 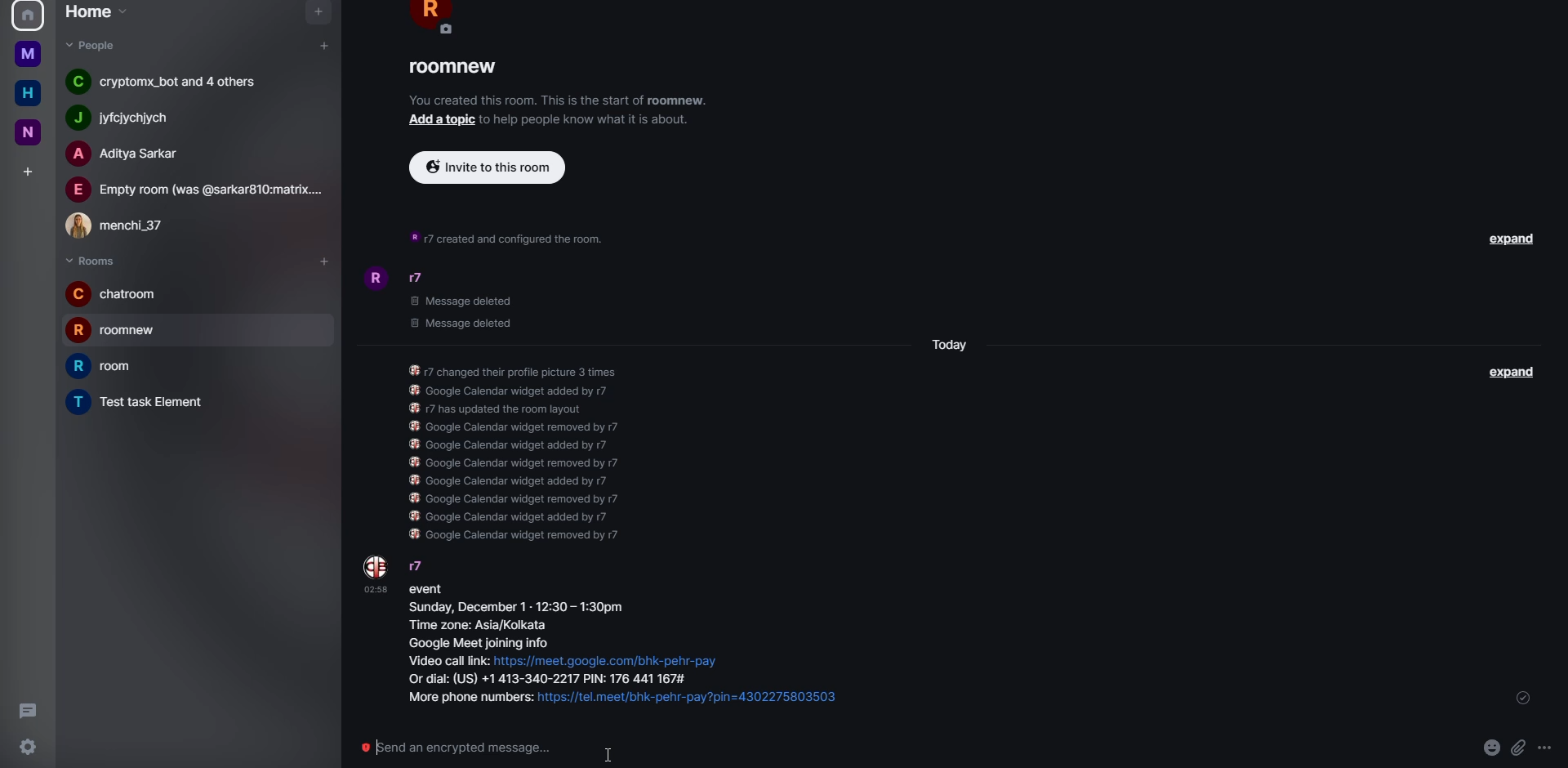 I want to click on add, so click(x=439, y=119).